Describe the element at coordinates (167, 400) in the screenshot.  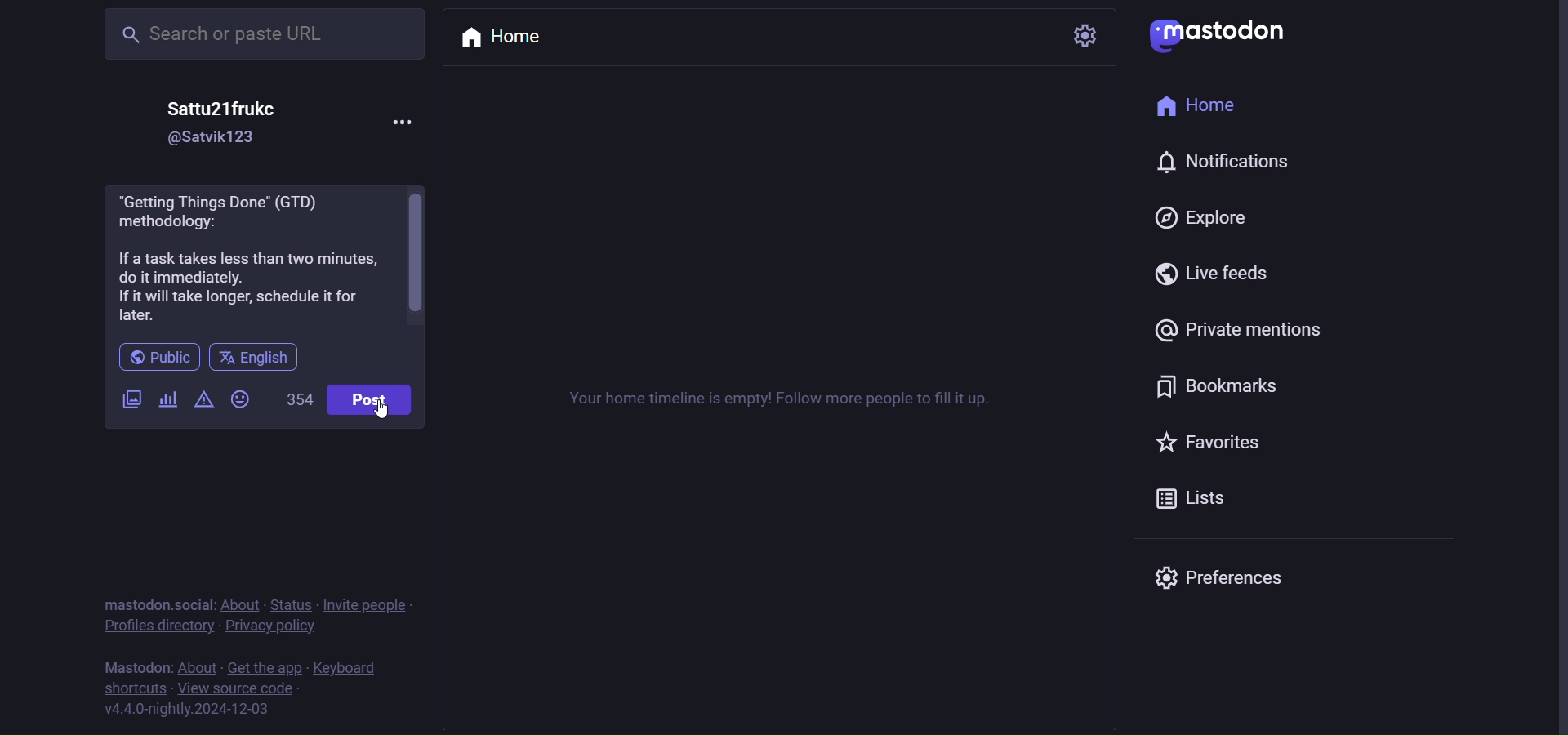
I see `poll` at that location.